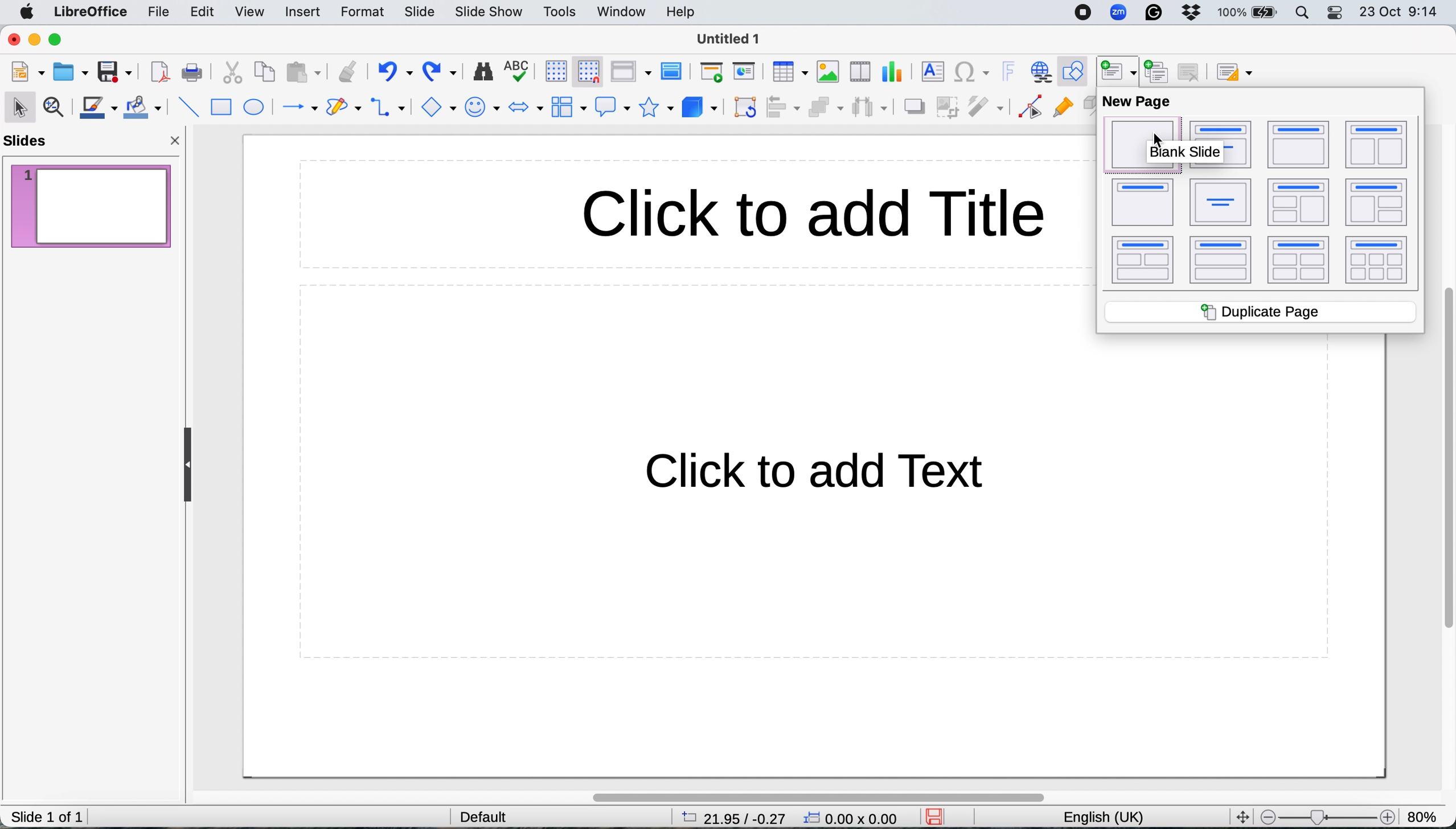  What do you see at coordinates (186, 106) in the screenshot?
I see `insert line` at bounding box center [186, 106].